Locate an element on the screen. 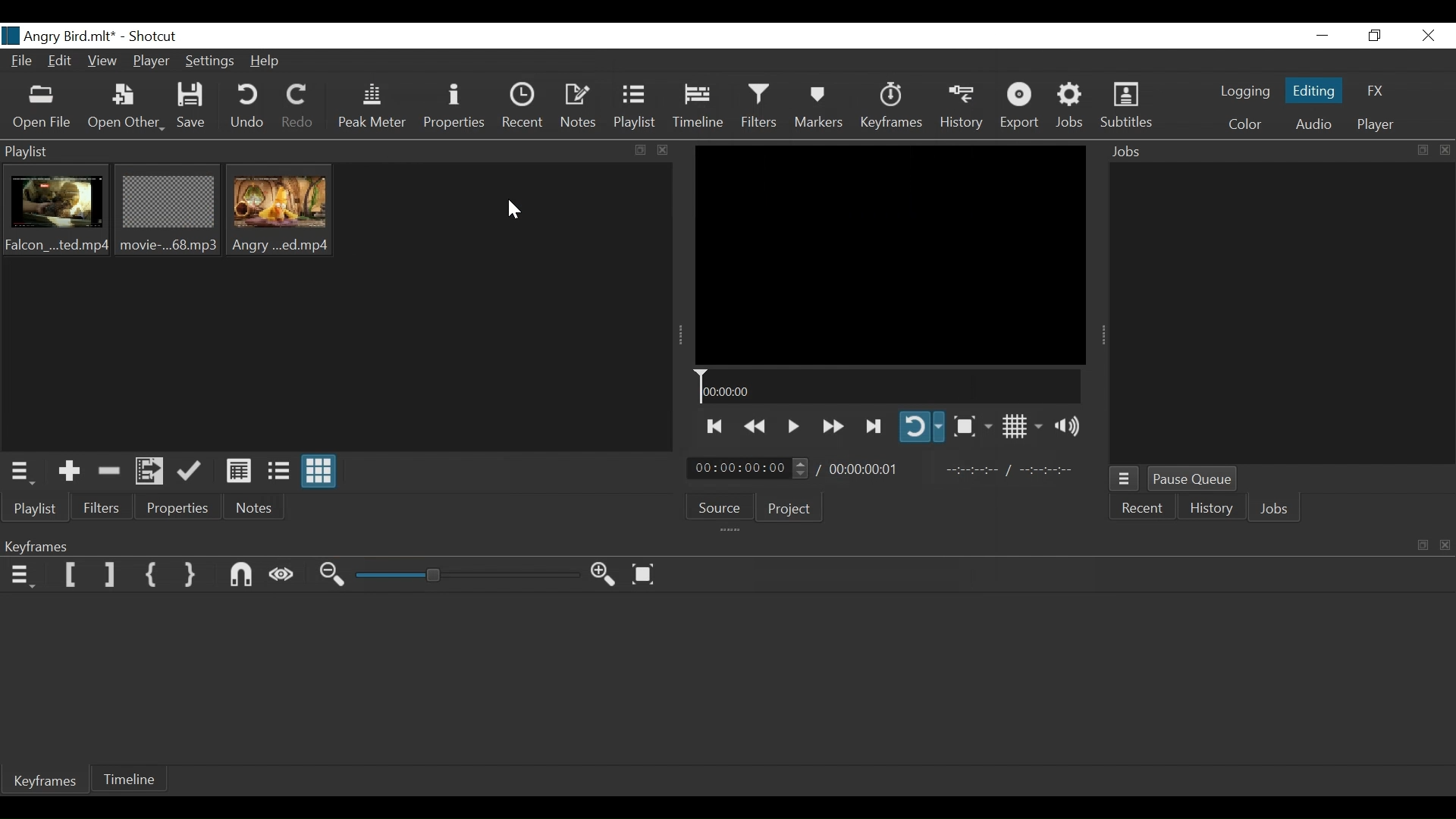 Image resolution: width=1456 pixels, height=819 pixels. Set First Simple Keyframe is located at coordinates (151, 573).